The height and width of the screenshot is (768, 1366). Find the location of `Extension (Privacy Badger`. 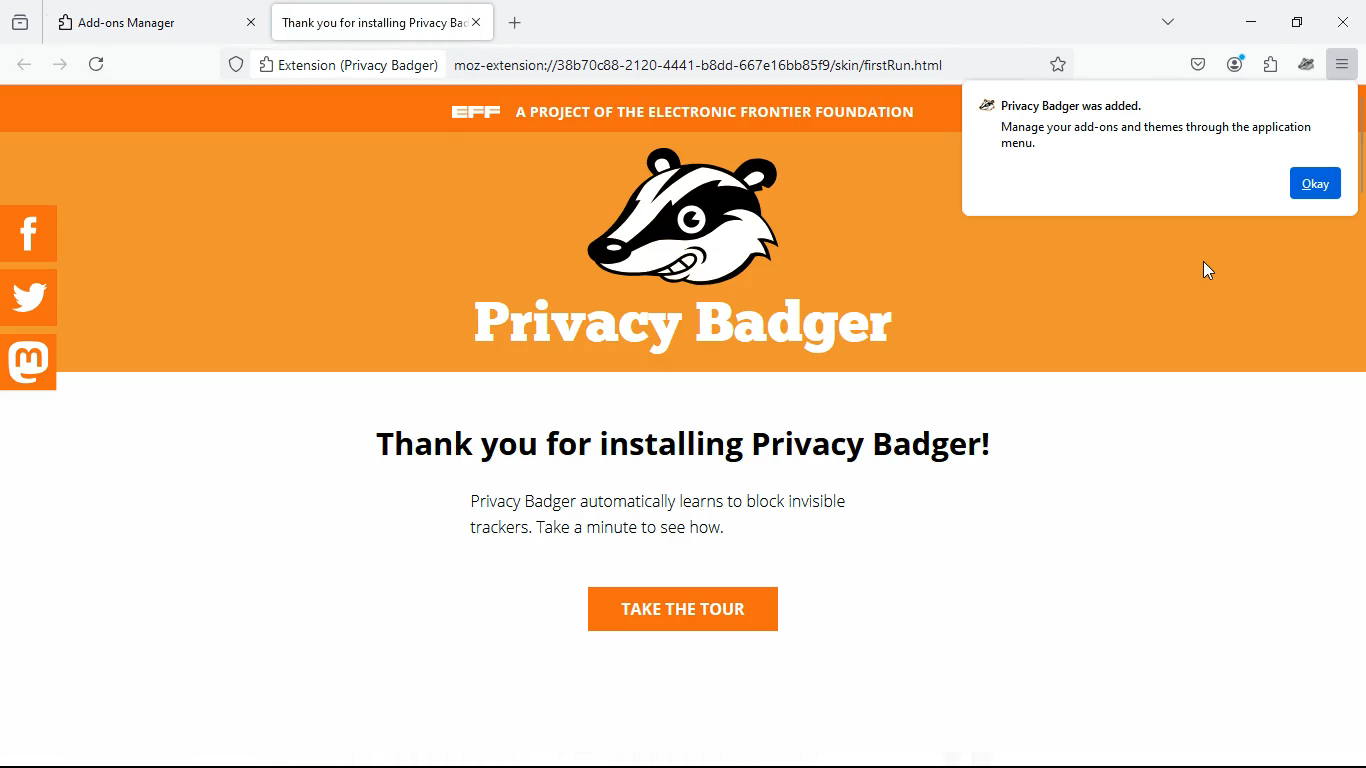

Extension (Privacy Badger is located at coordinates (346, 66).